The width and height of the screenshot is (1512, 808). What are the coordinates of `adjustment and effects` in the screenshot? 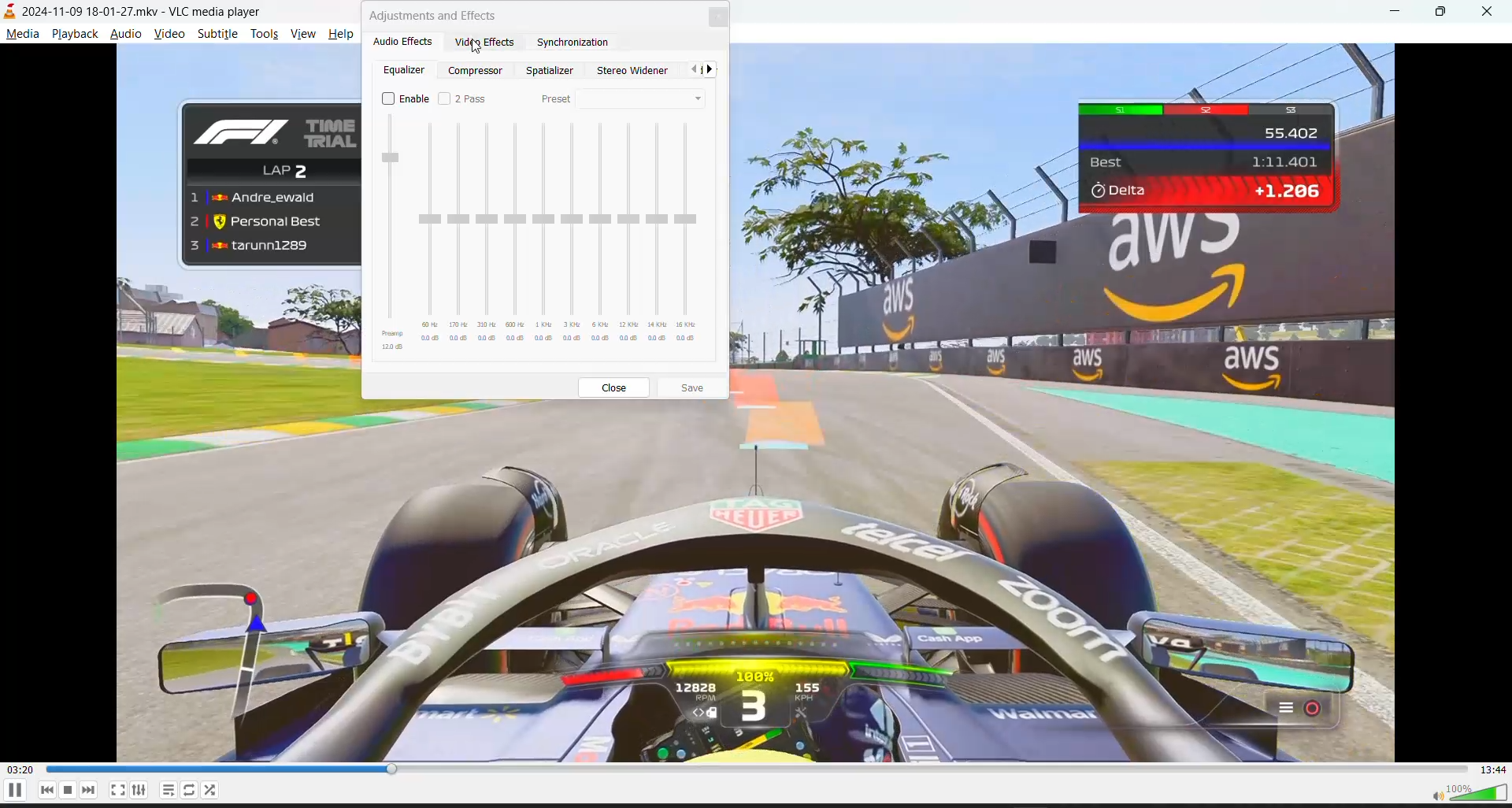 It's located at (436, 15).